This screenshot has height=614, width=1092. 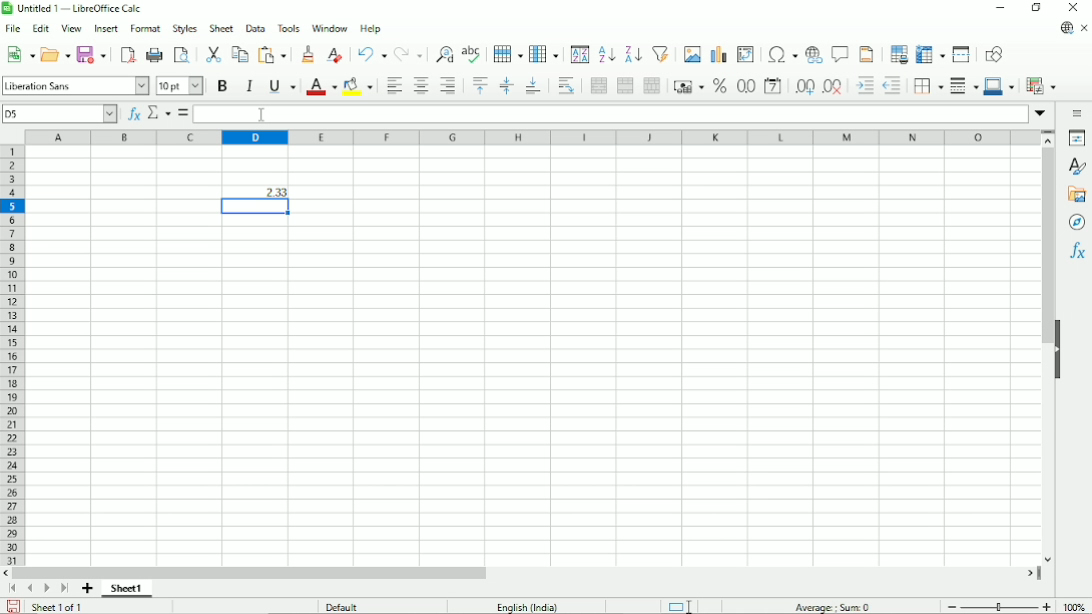 I want to click on Clone formatting, so click(x=306, y=54).